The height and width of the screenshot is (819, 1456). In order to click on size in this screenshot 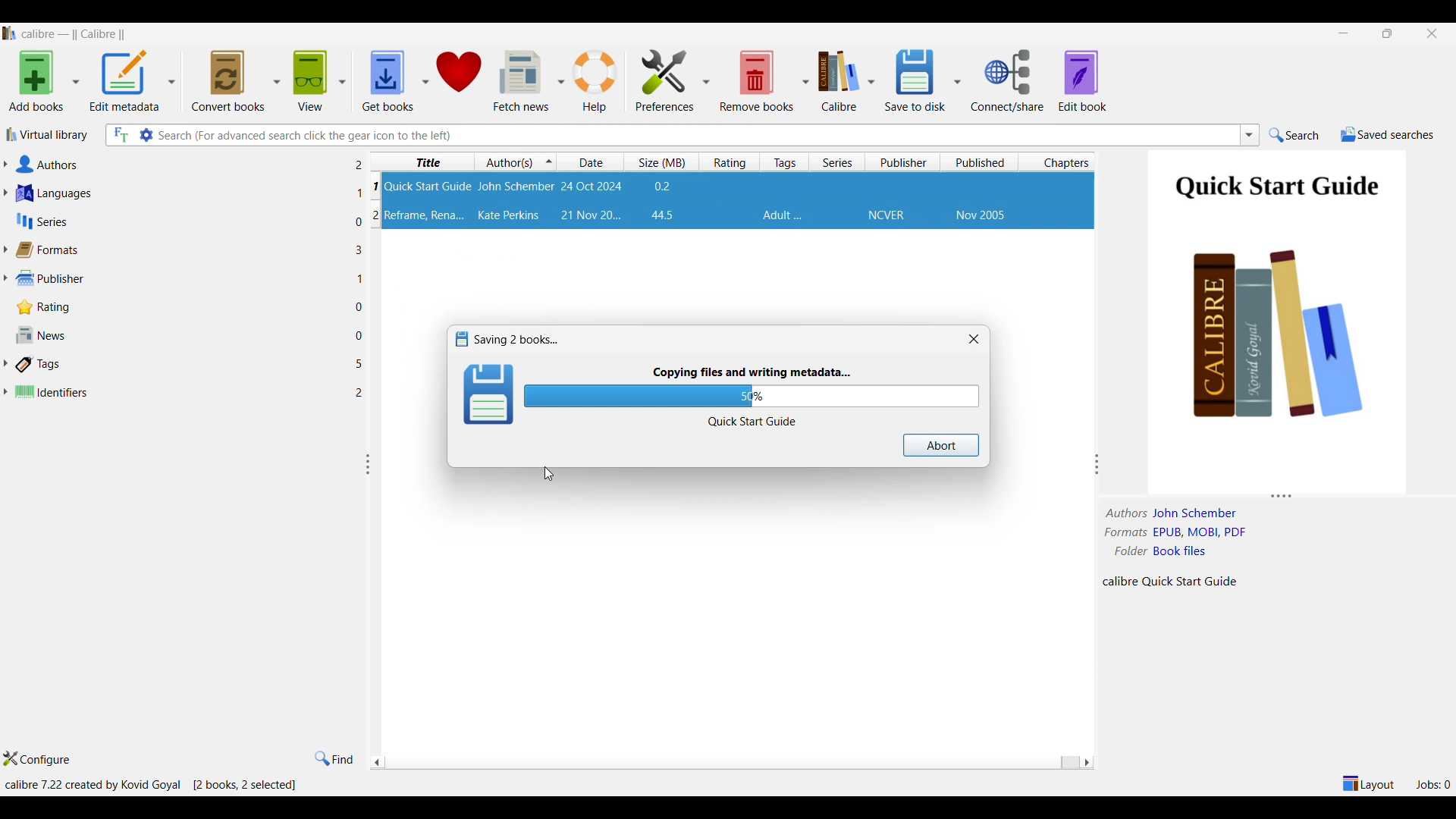, I will do `click(663, 215)`.